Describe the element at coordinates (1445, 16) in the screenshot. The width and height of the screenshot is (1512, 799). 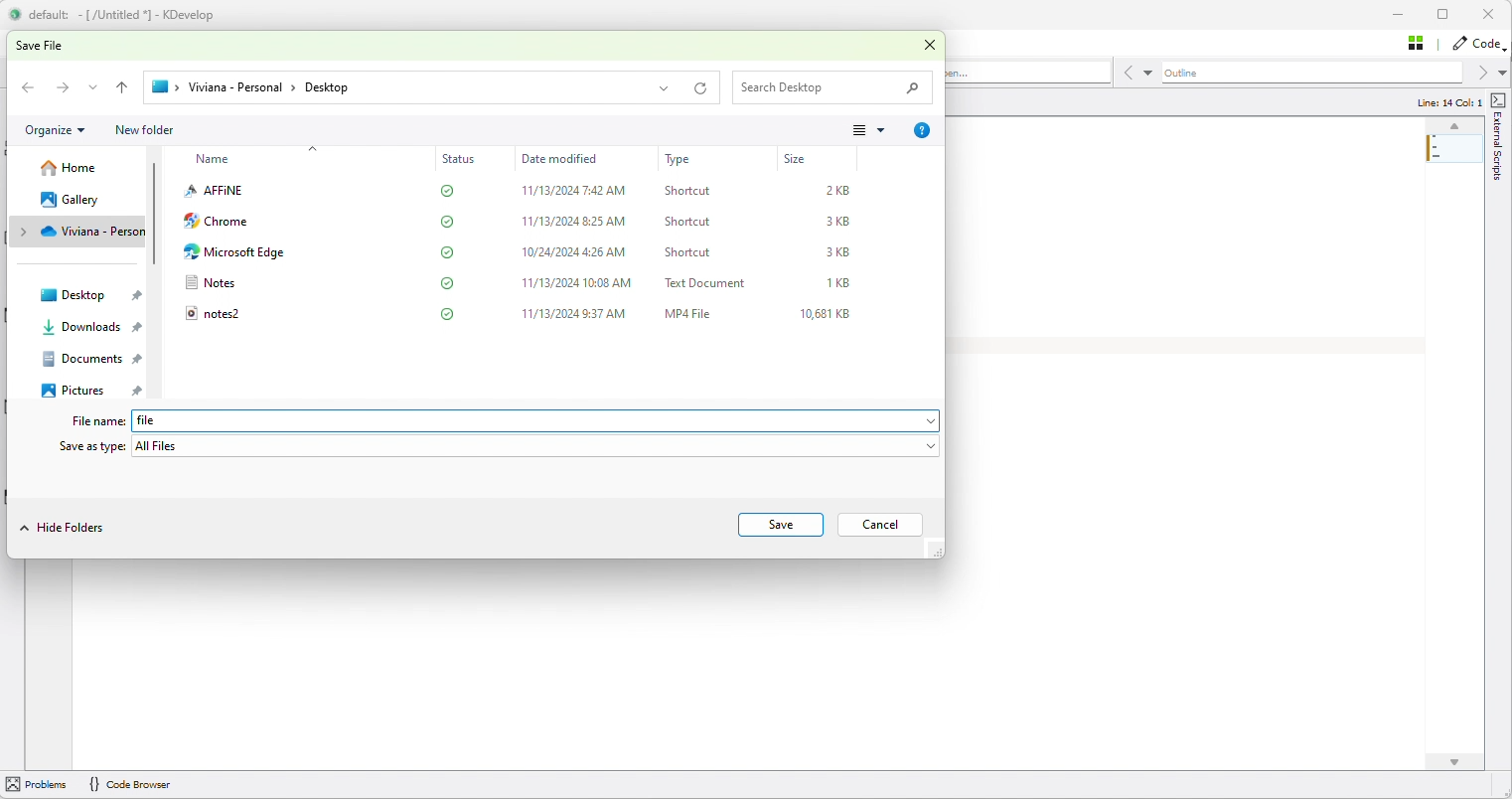
I see `Box` at that location.